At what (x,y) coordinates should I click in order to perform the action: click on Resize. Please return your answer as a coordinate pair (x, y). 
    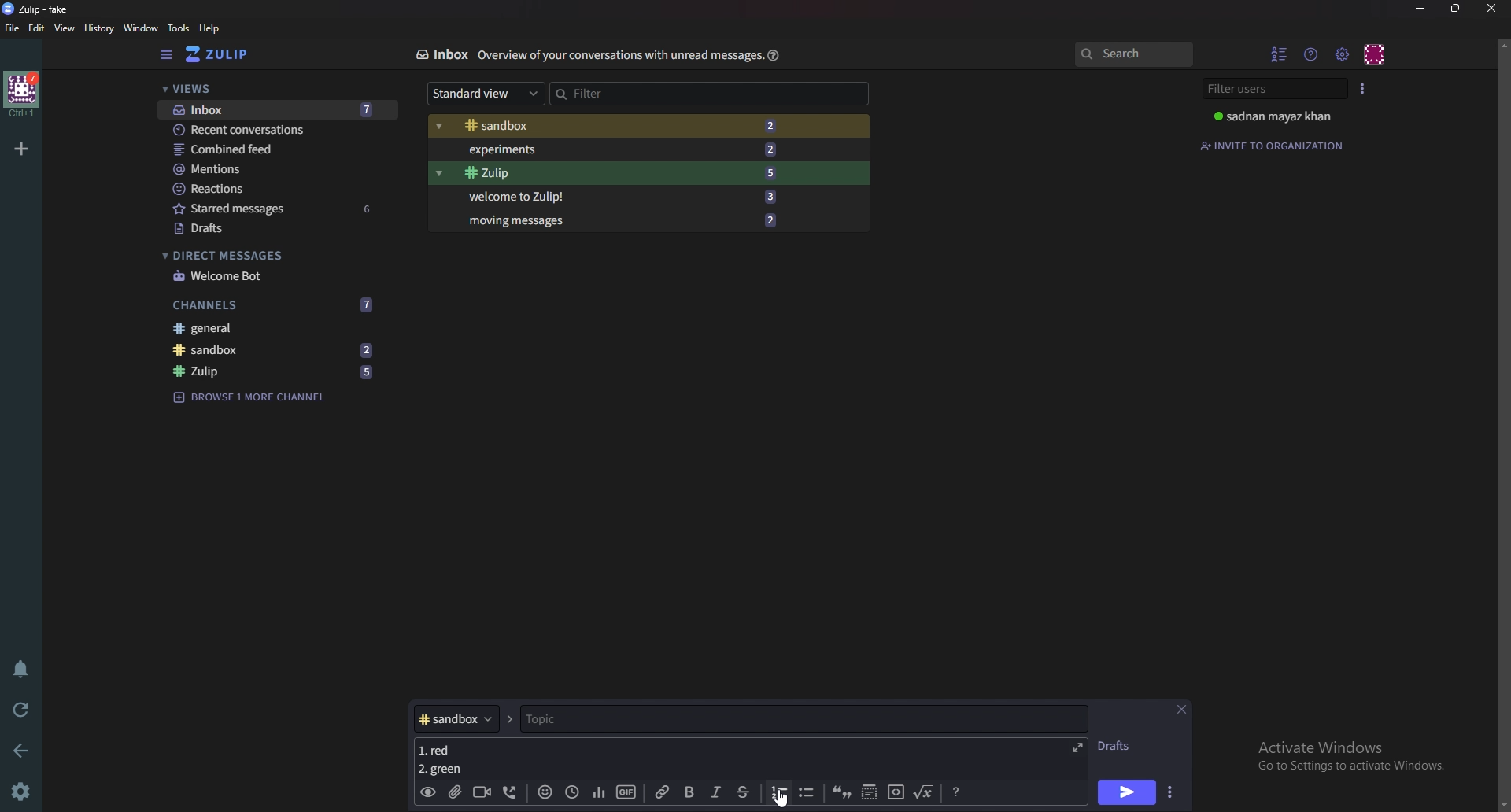
    Looking at the image, I should click on (1456, 9).